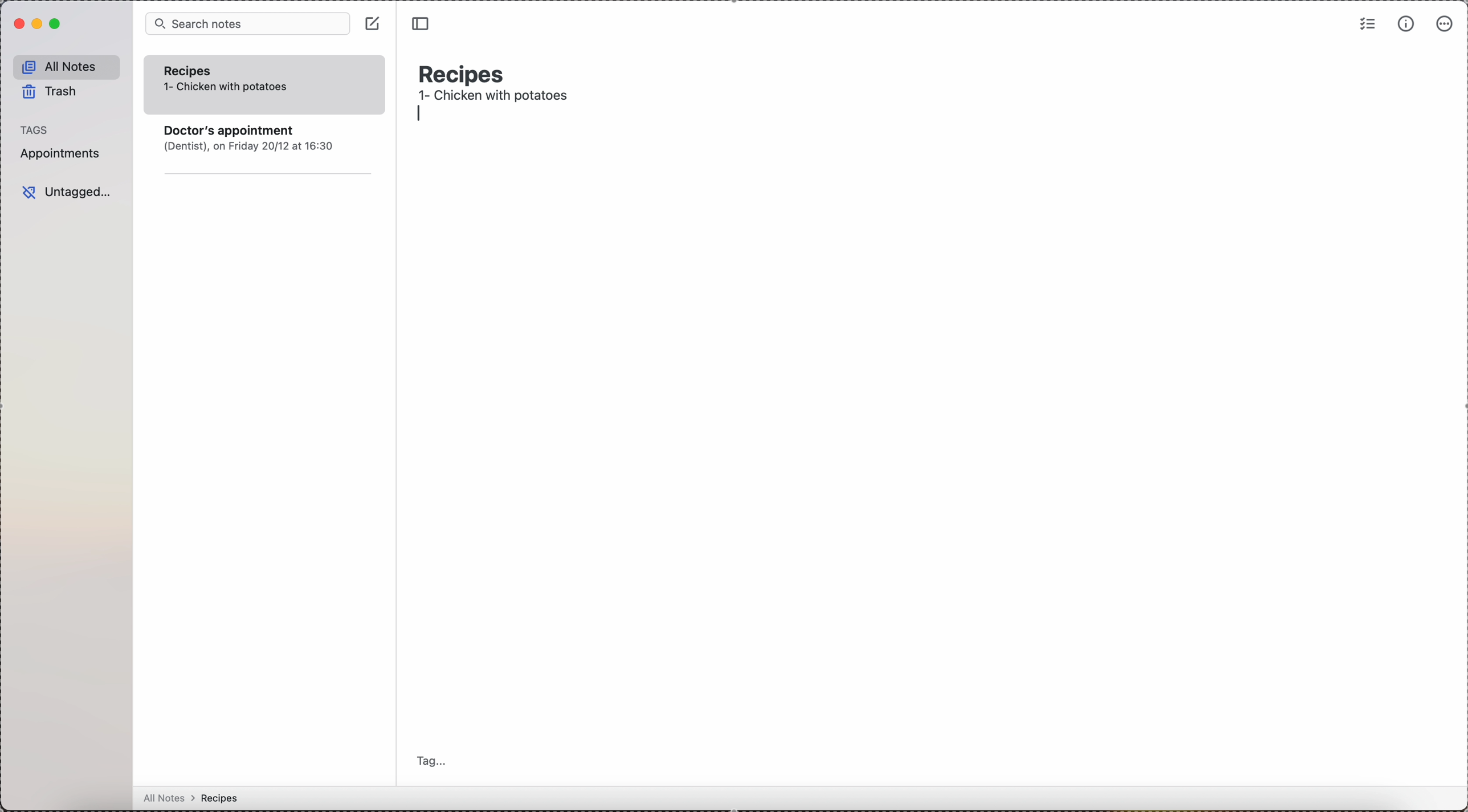 The height and width of the screenshot is (812, 1468). Describe the element at coordinates (38, 25) in the screenshot. I see `minimize` at that location.